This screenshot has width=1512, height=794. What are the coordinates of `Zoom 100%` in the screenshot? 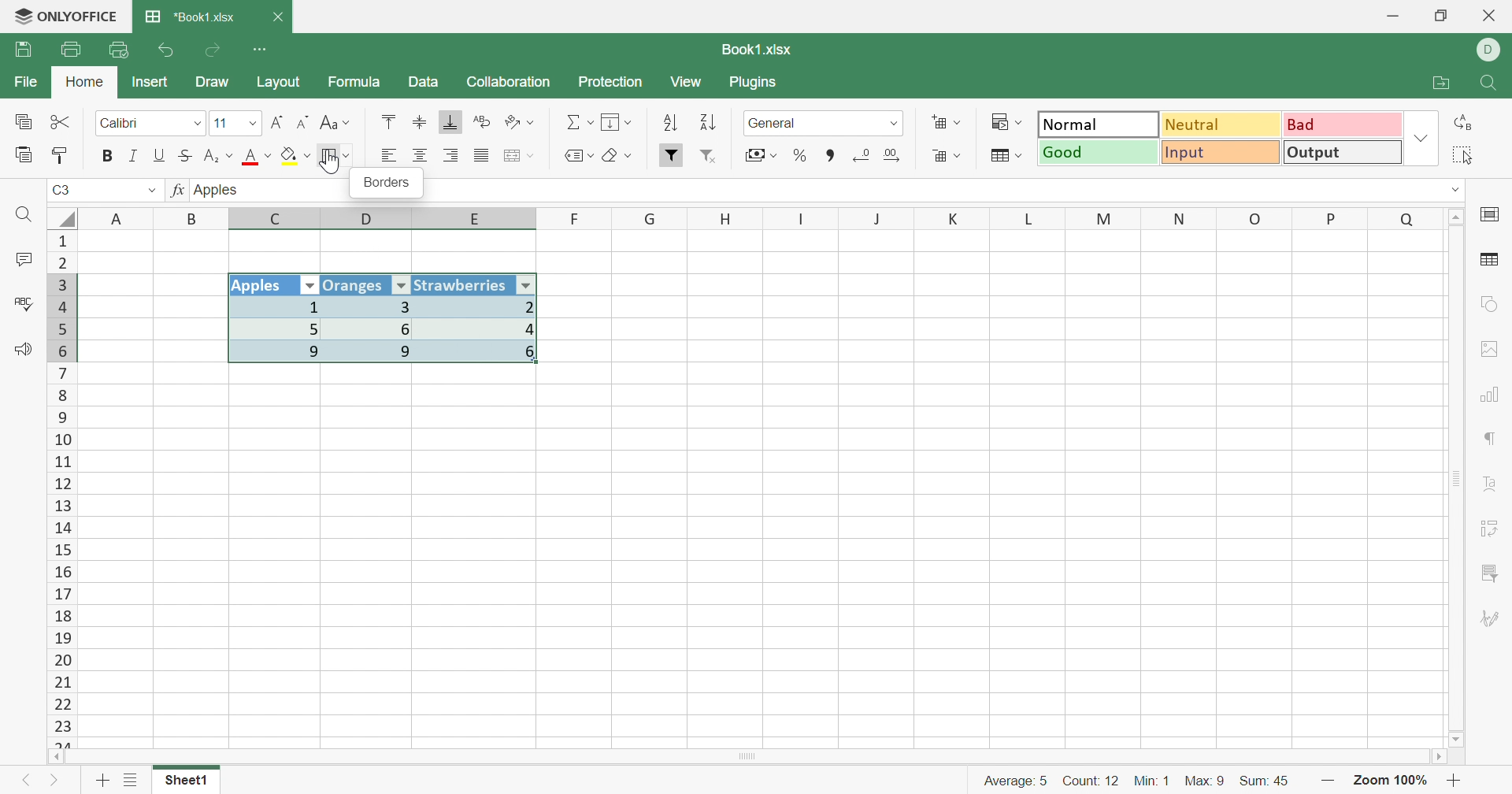 It's located at (1391, 780).